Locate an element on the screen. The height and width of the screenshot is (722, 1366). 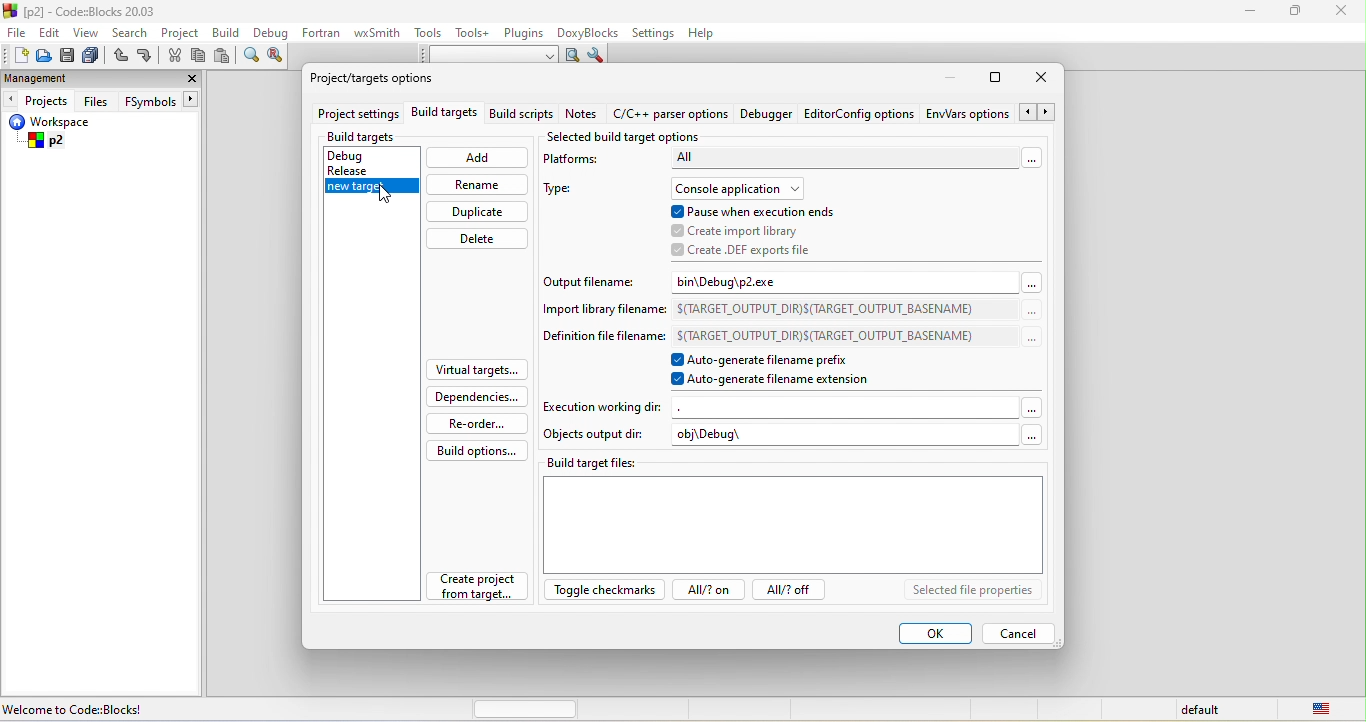
release is located at coordinates (363, 170).